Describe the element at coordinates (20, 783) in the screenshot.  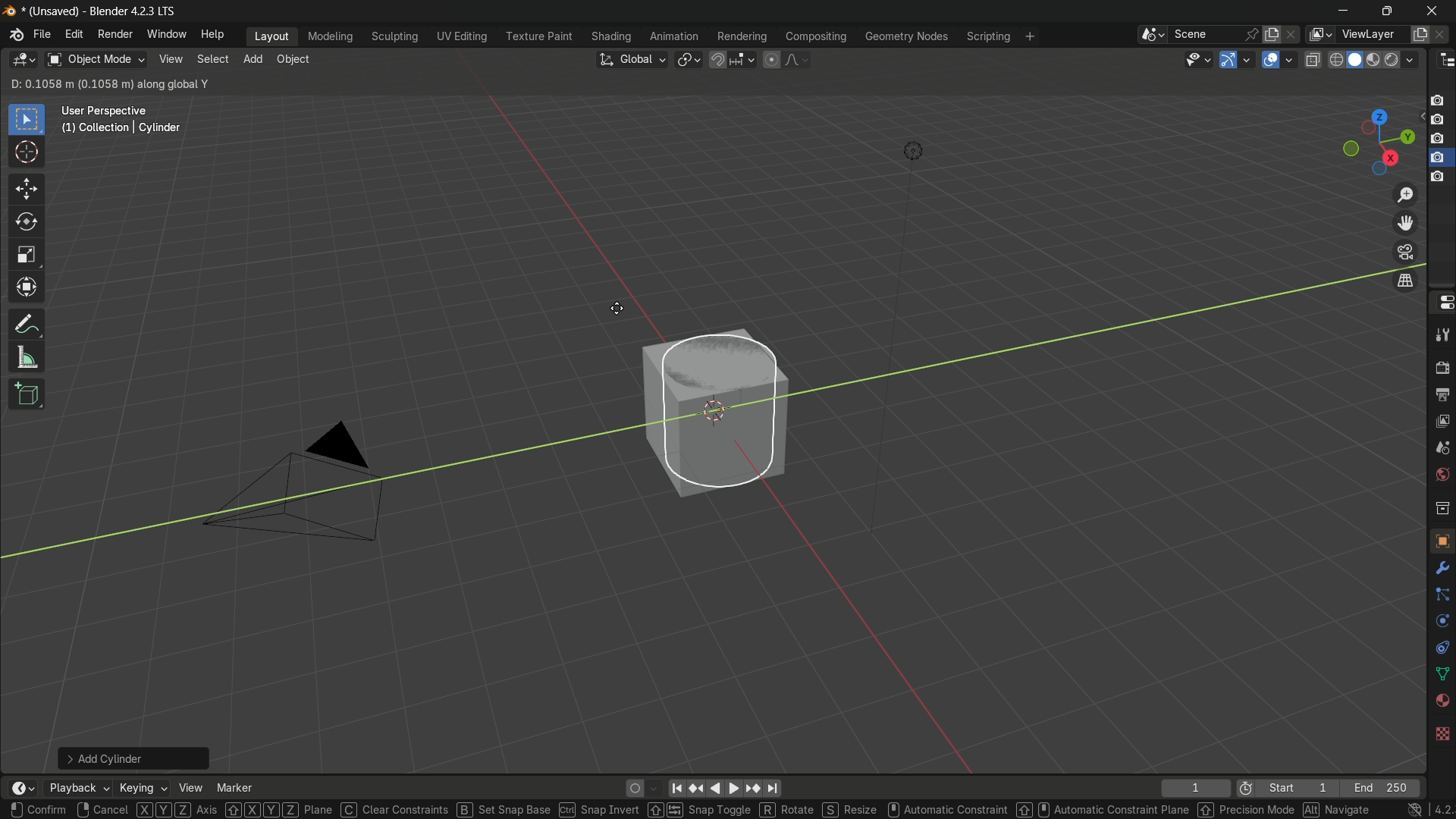
I see `timeline` at that location.